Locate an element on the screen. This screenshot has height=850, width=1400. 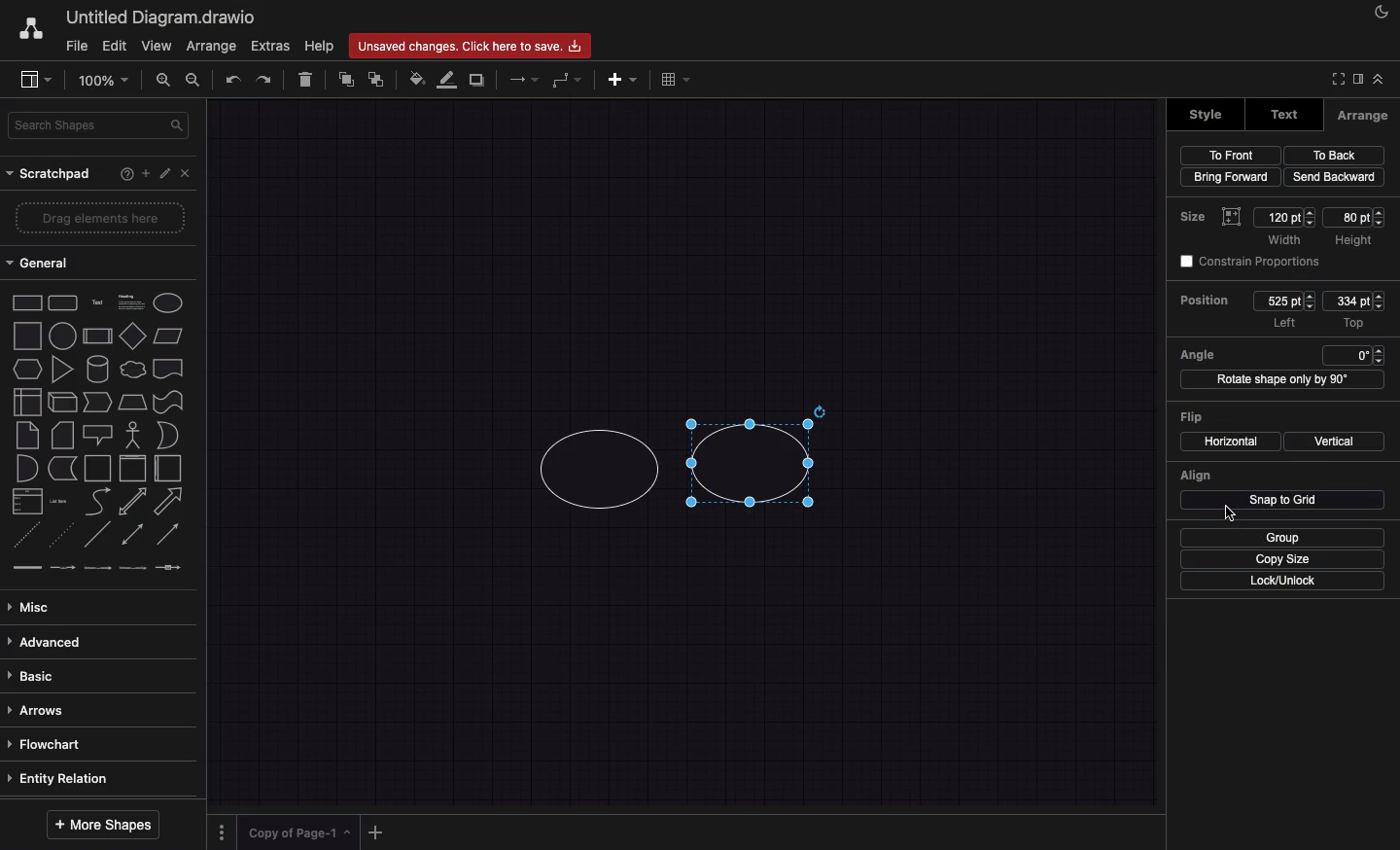
edit is located at coordinates (164, 173).